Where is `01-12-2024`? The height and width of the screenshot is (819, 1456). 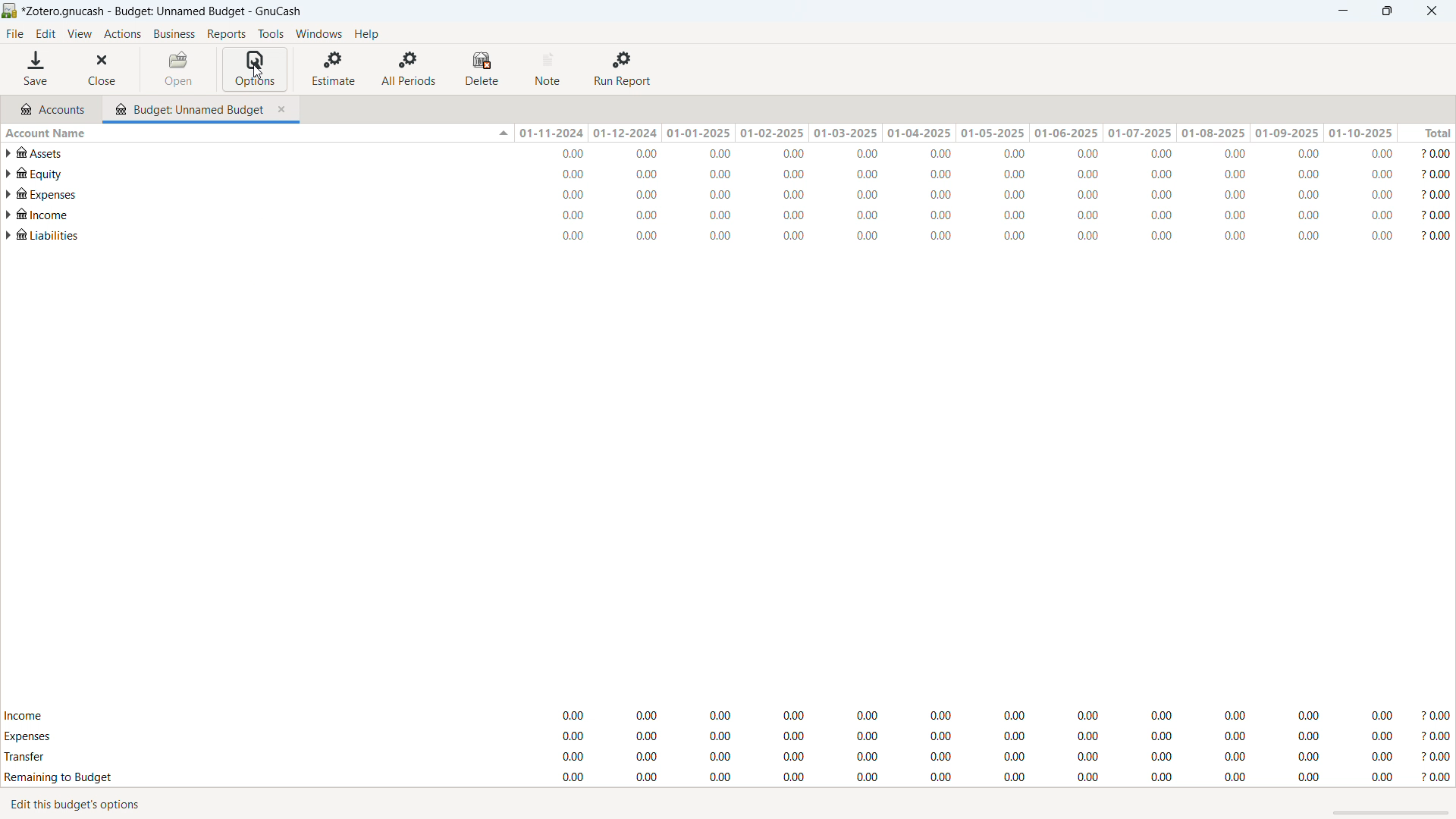 01-12-2024 is located at coordinates (628, 133).